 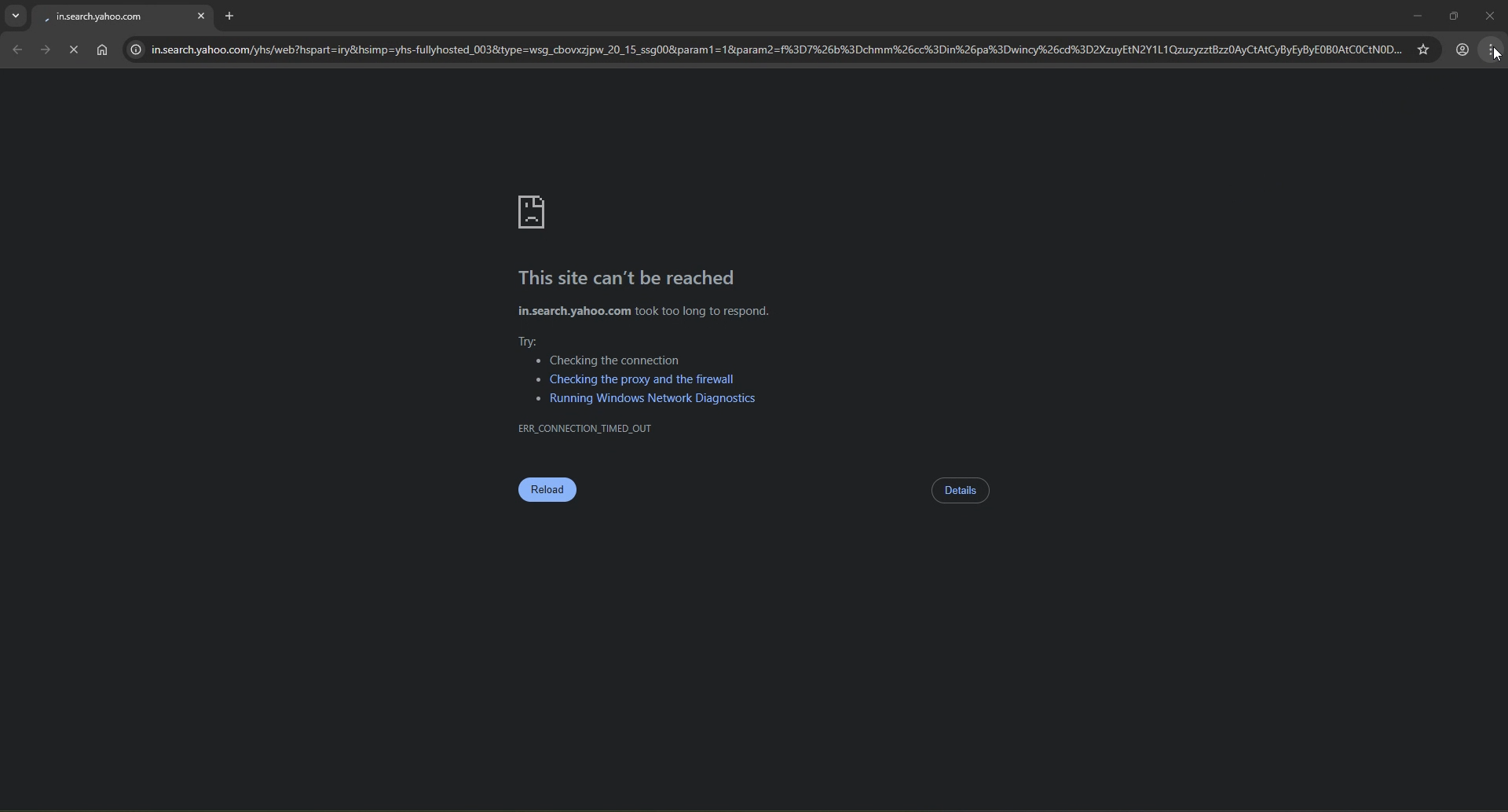 What do you see at coordinates (961, 491) in the screenshot?
I see `details` at bounding box center [961, 491].